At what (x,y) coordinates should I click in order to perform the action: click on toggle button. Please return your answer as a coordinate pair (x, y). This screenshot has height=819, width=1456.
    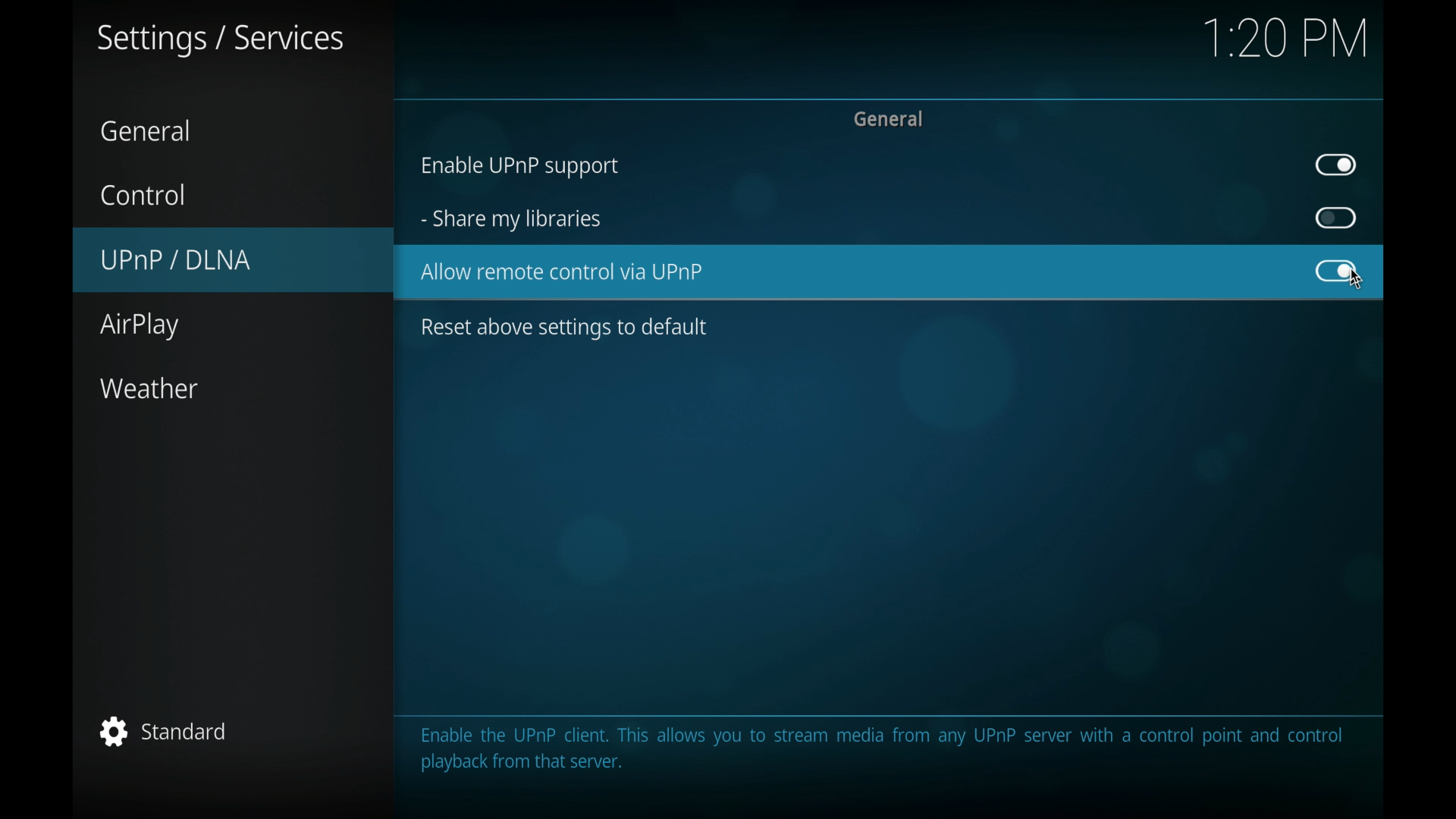
    Looking at the image, I should click on (1337, 218).